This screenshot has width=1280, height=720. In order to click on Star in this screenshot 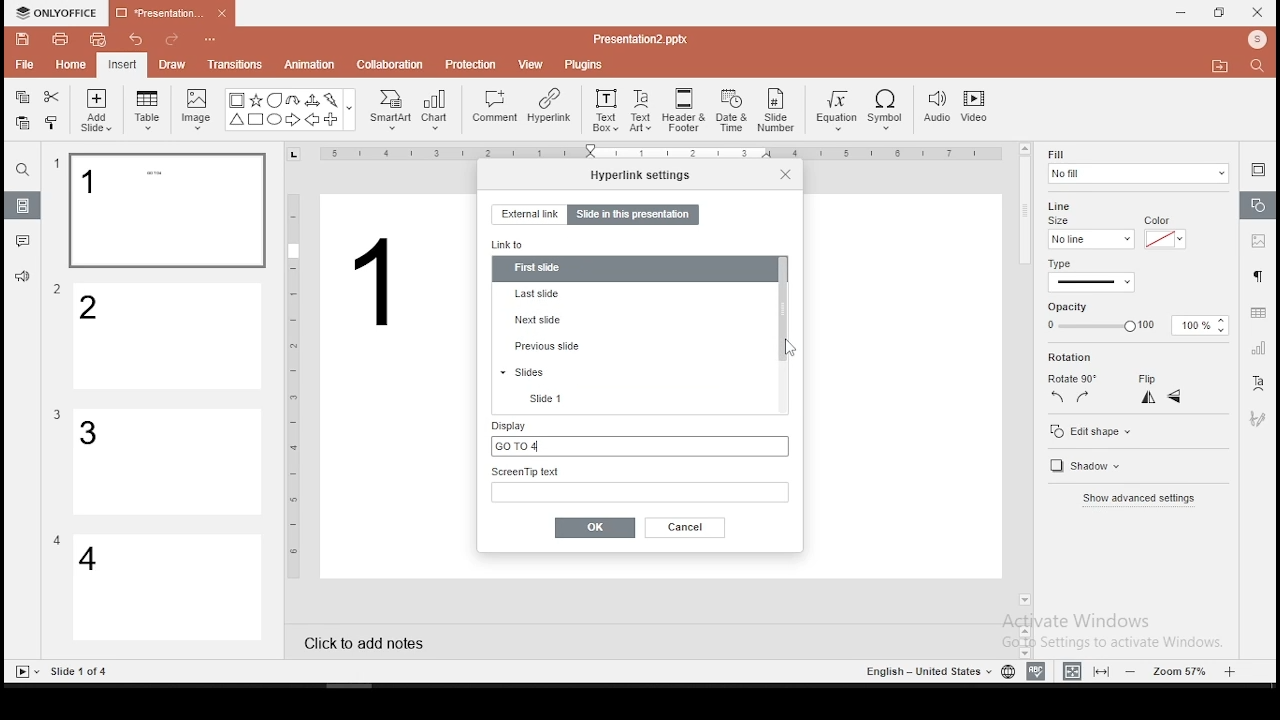, I will do `click(255, 100)`.